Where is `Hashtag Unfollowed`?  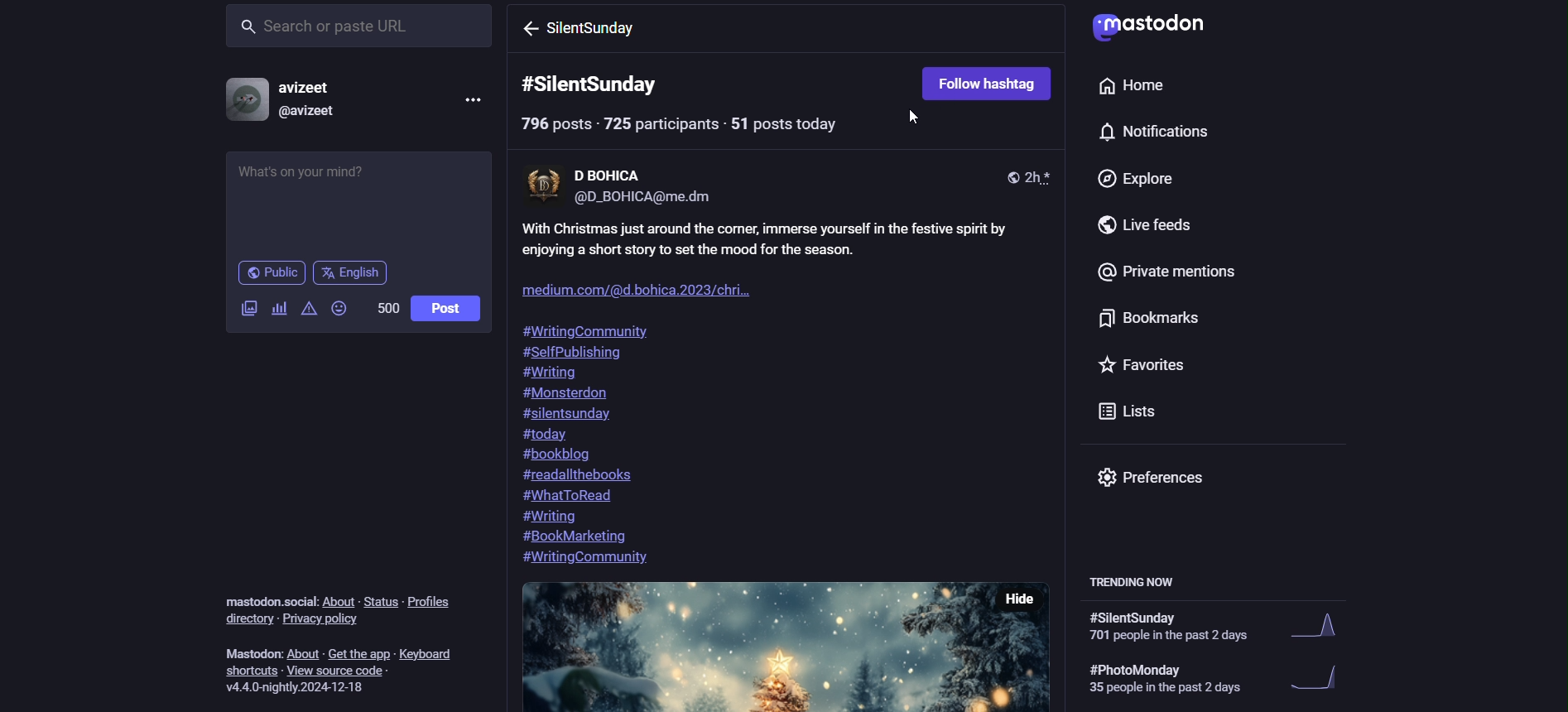
Hashtag Unfollowed is located at coordinates (985, 81).